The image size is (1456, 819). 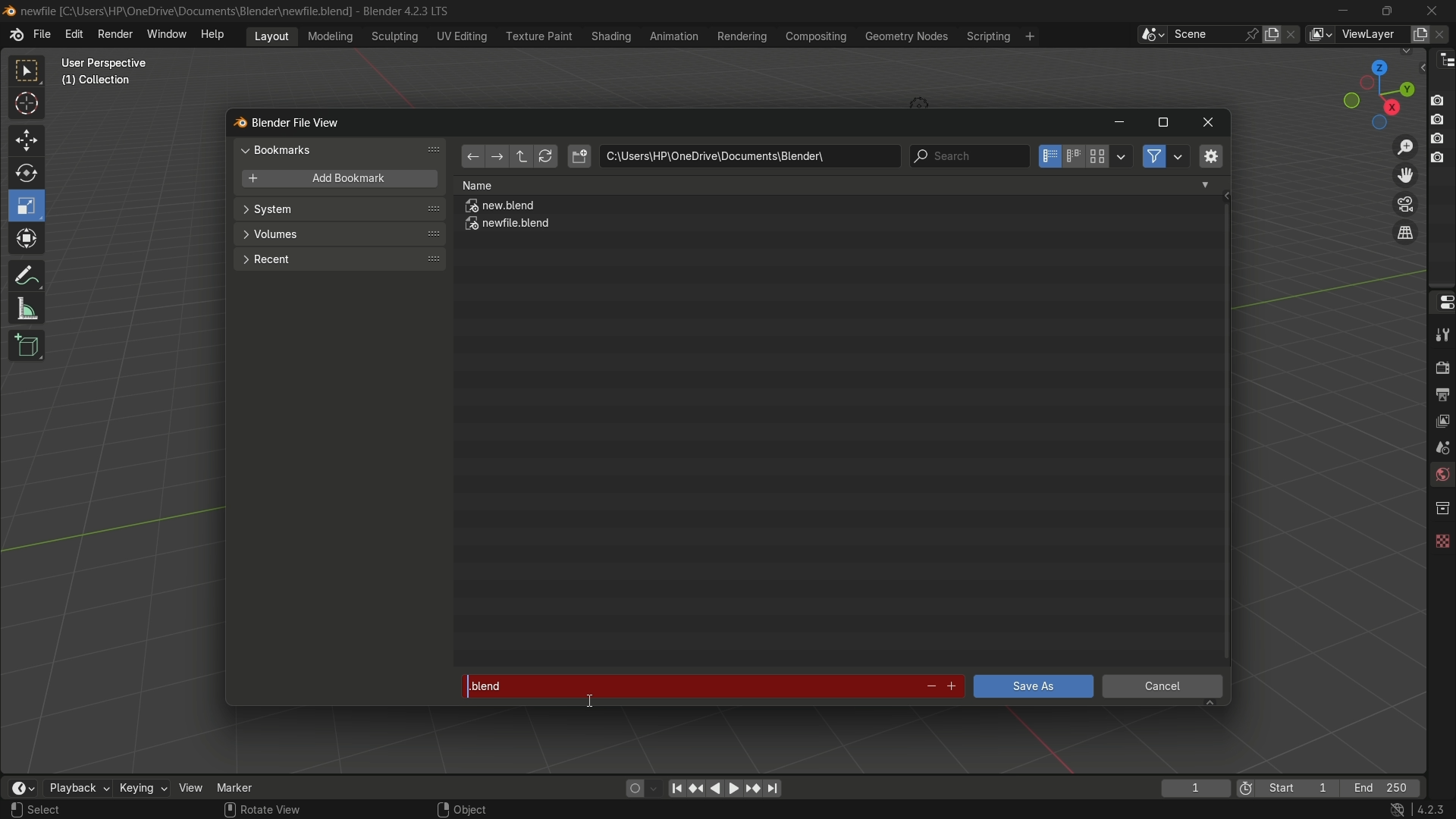 I want to click on Blender 4.2.3, so click(x=402, y=11).